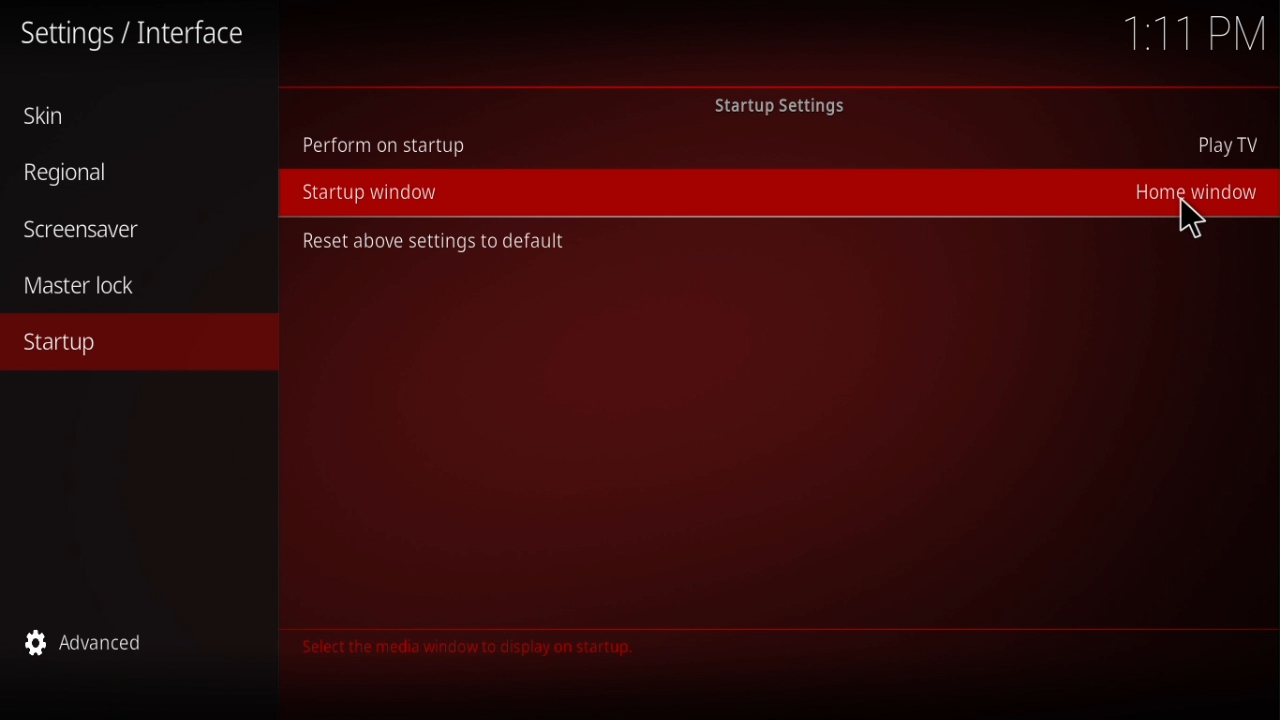 The width and height of the screenshot is (1280, 720). What do you see at coordinates (384, 145) in the screenshot?
I see `perform on startup` at bounding box center [384, 145].